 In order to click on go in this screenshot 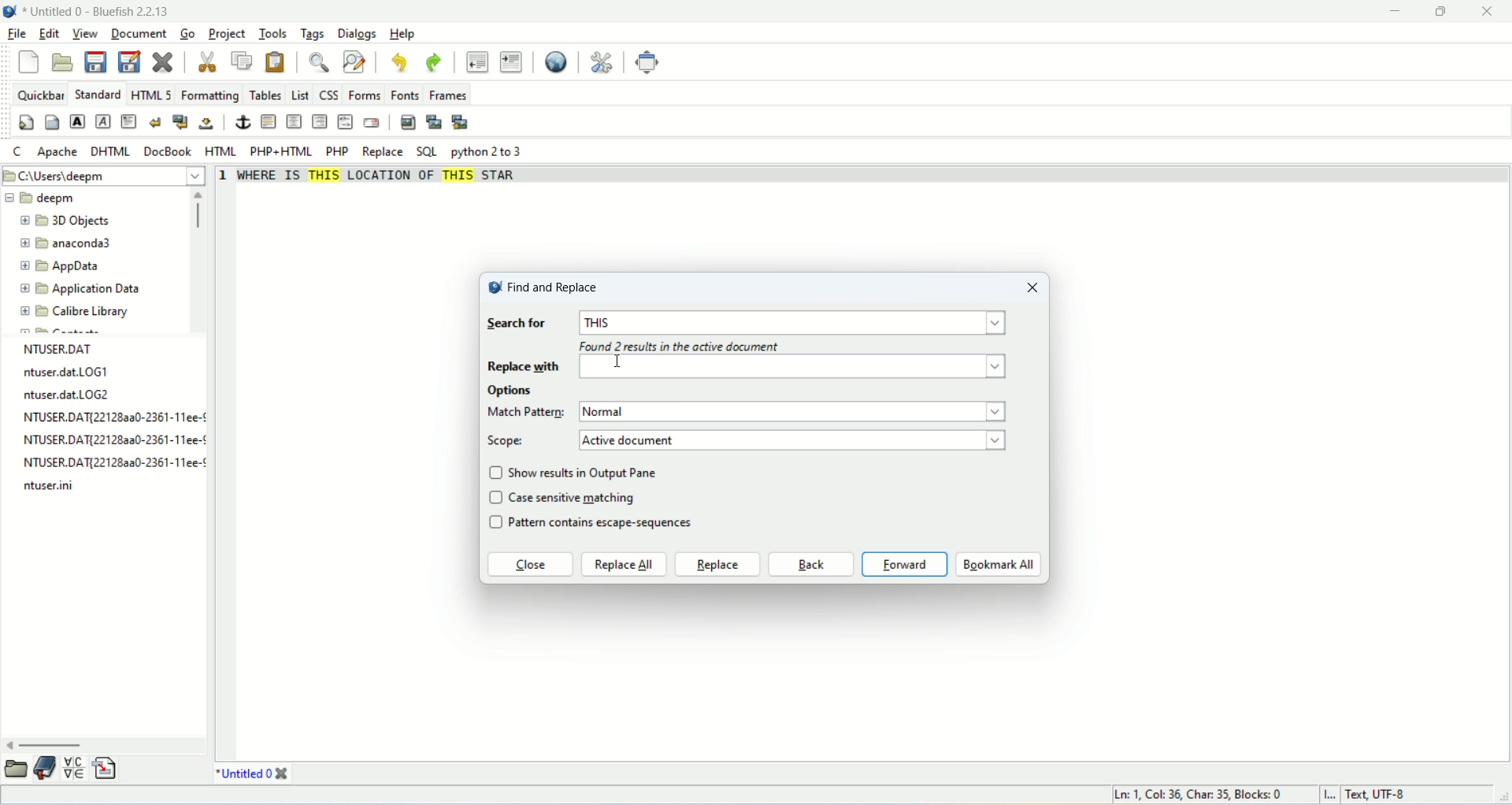, I will do `click(187, 32)`.